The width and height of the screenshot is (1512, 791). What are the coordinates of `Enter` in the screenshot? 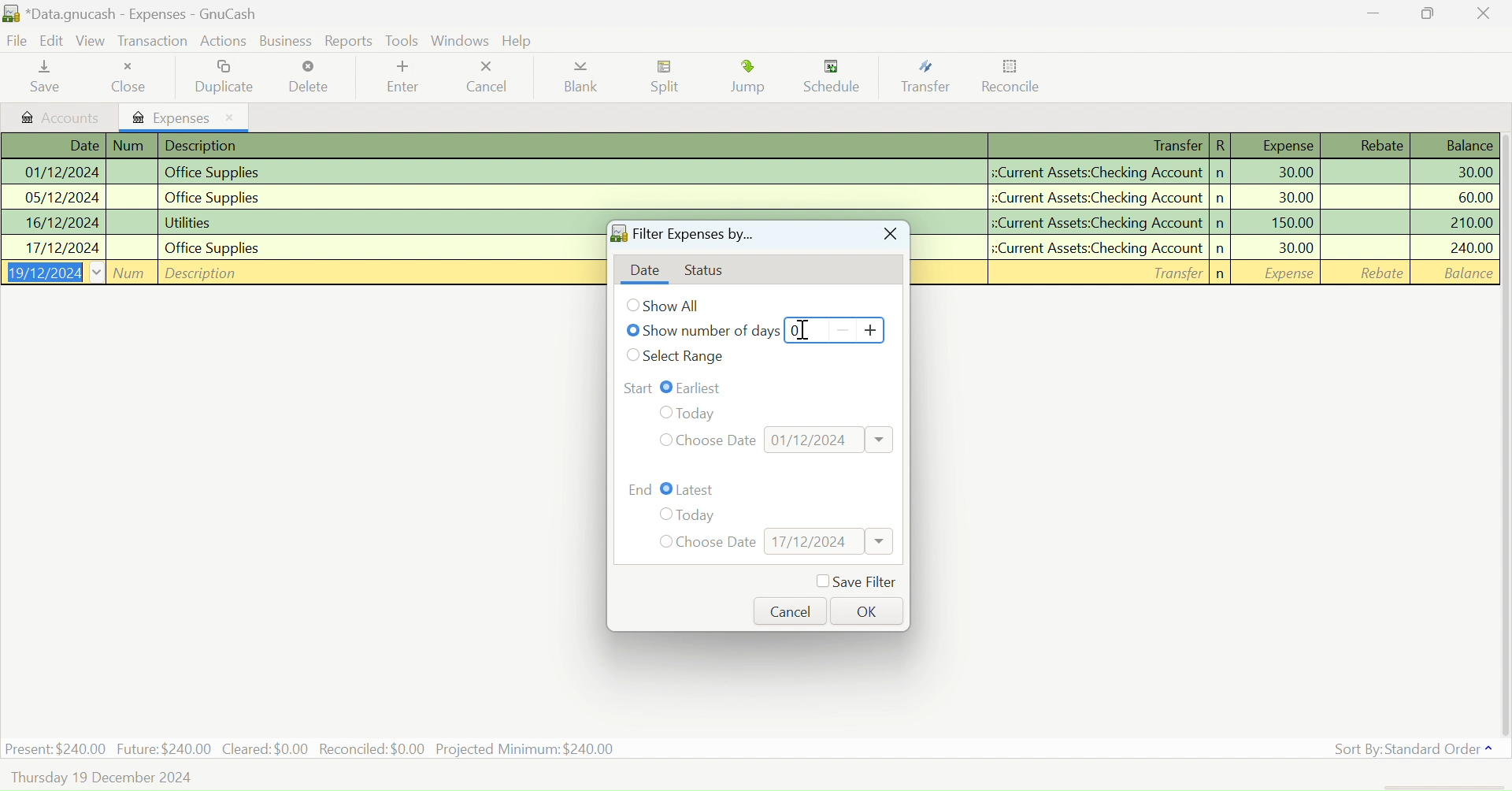 It's located at (401, 79).